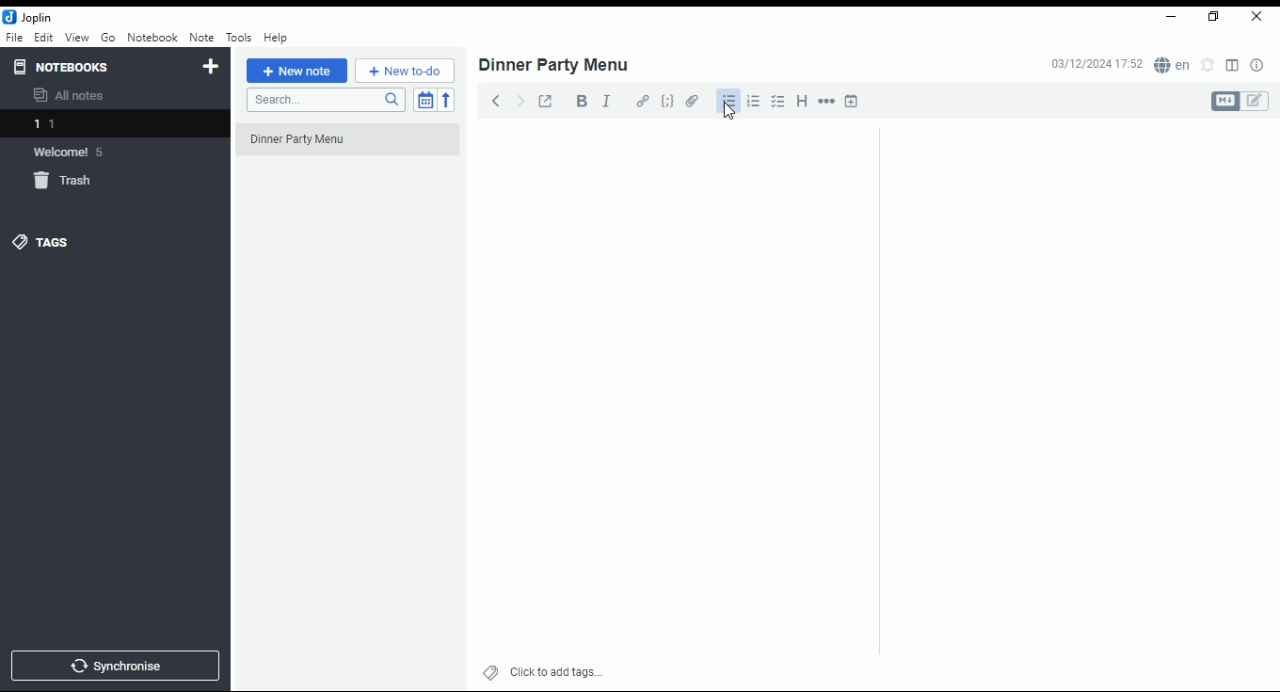 The height and width of the screenshot is (692, 1280). Describe the element at coordinates (74, 96) in the screenshot. I see `all notes` at that location.